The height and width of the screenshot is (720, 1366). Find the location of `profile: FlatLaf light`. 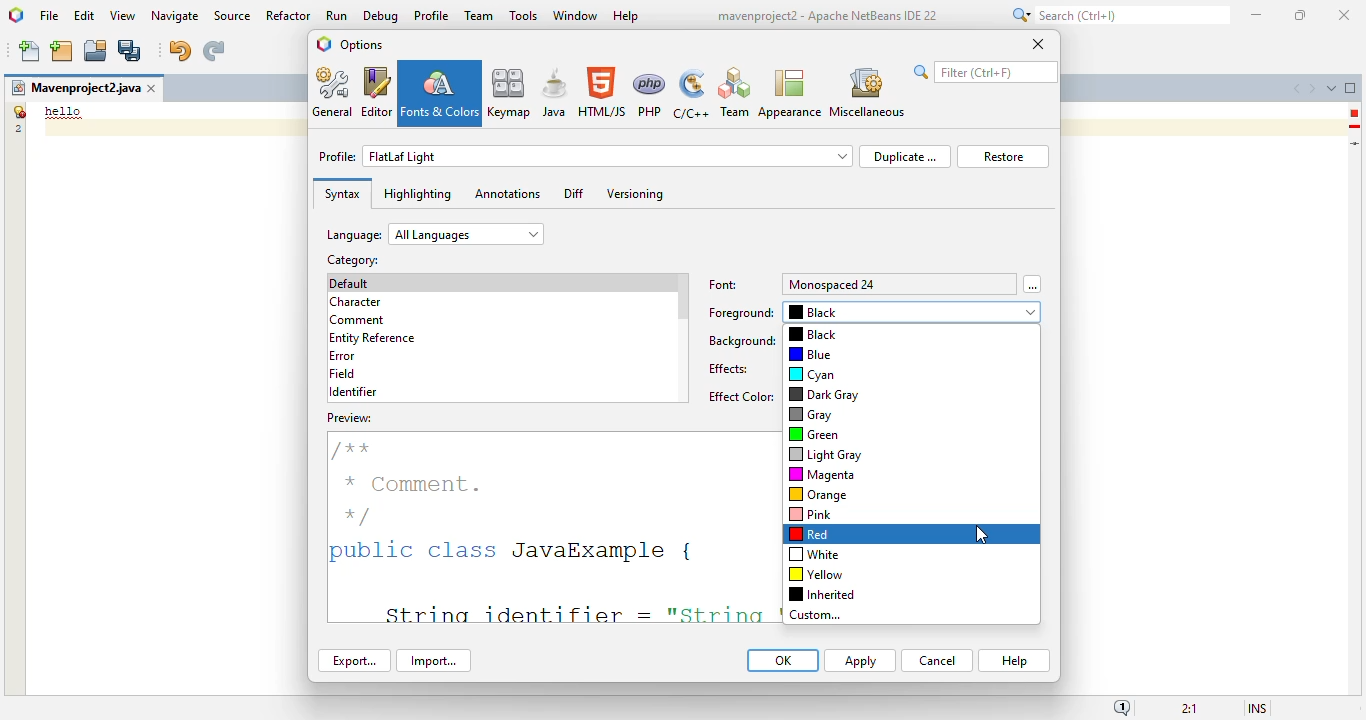

profile: FlatLaf light is located at coordinates (585, 156).